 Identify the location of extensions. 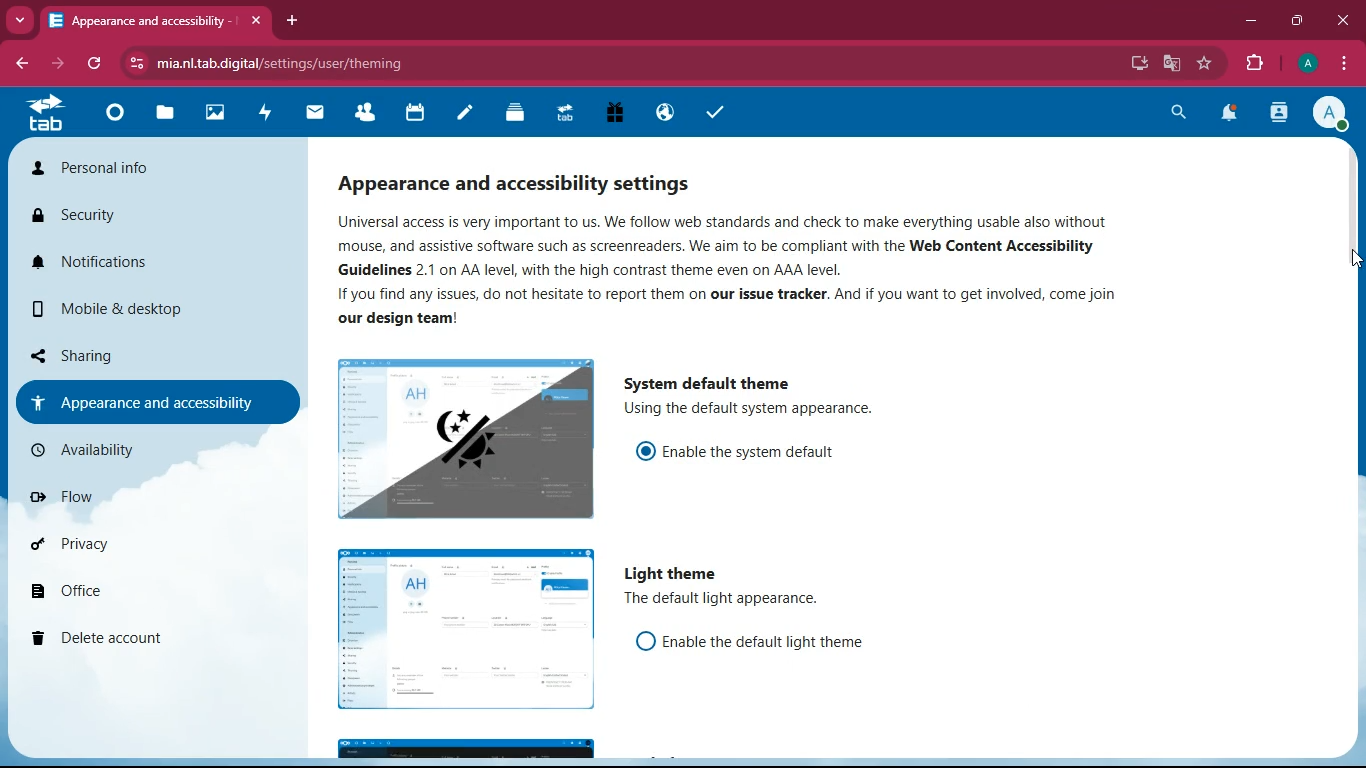
(1255, 64).